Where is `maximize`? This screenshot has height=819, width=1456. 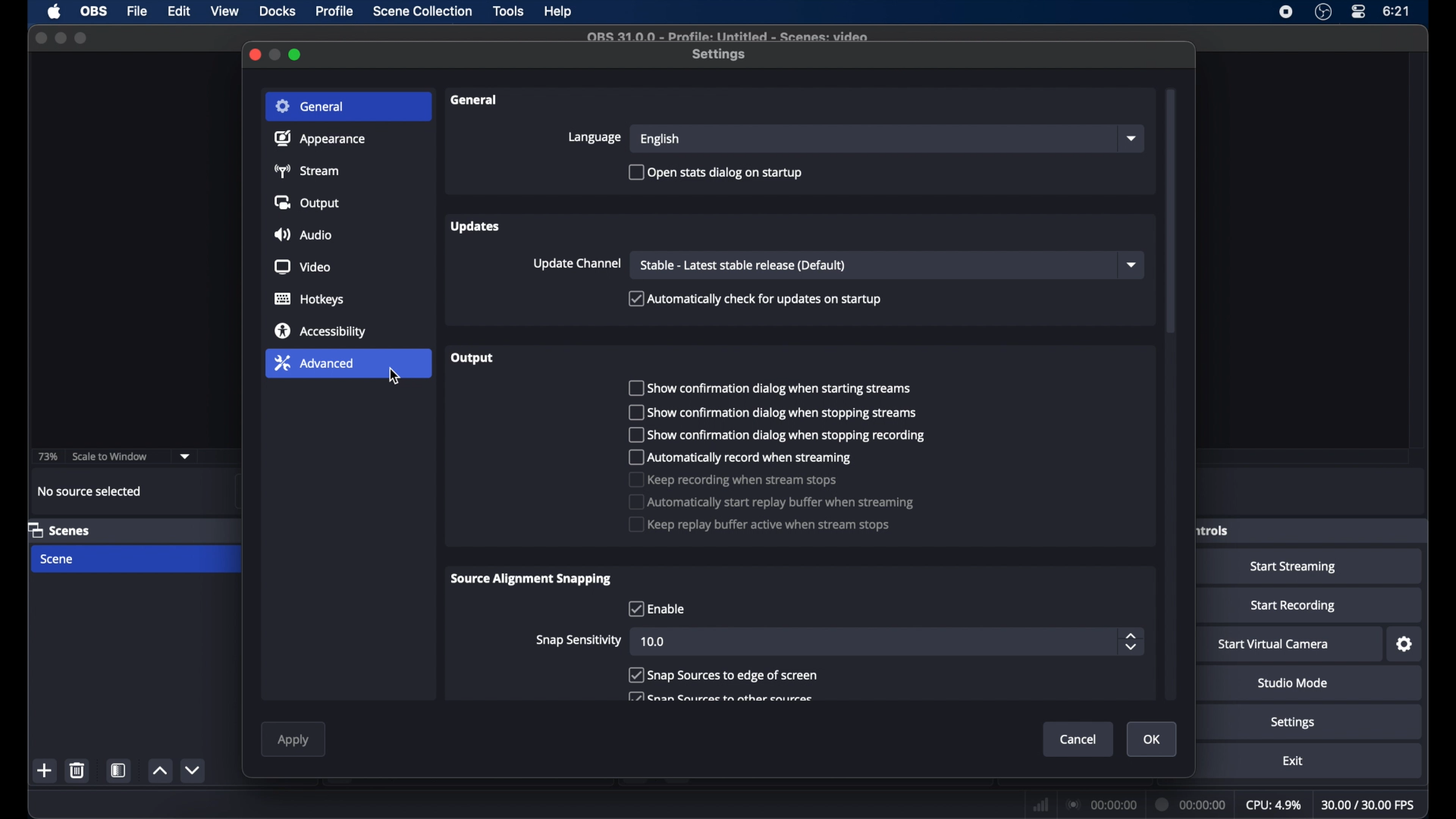 maximize is located at coordinates (82, 38).